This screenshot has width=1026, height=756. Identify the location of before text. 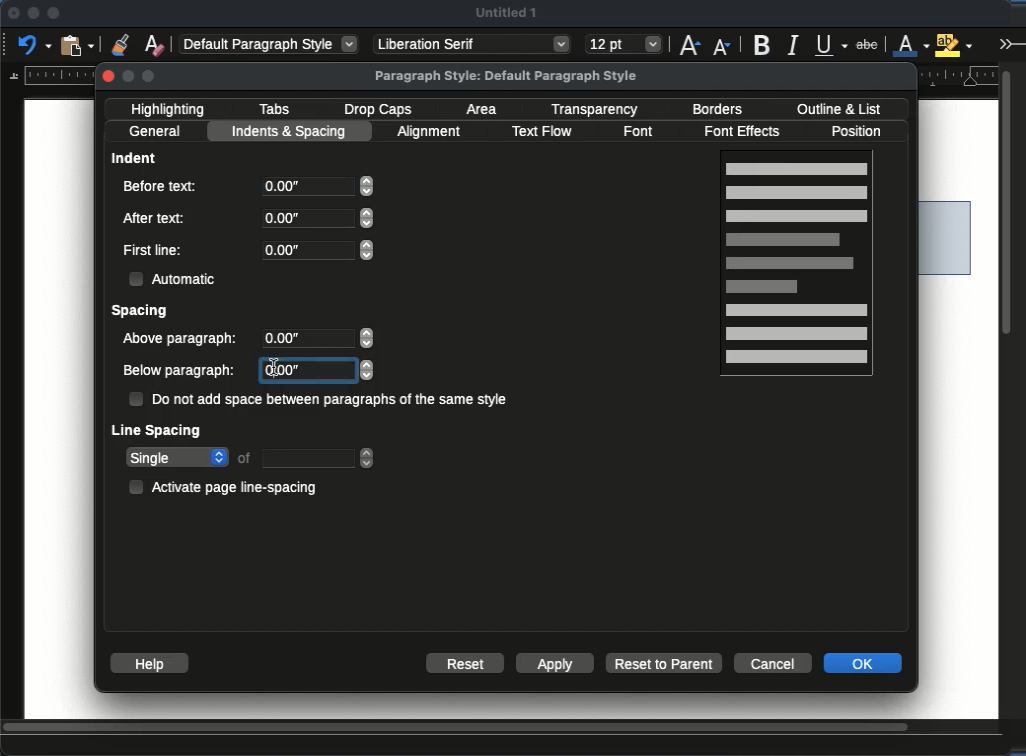
(160, 186).